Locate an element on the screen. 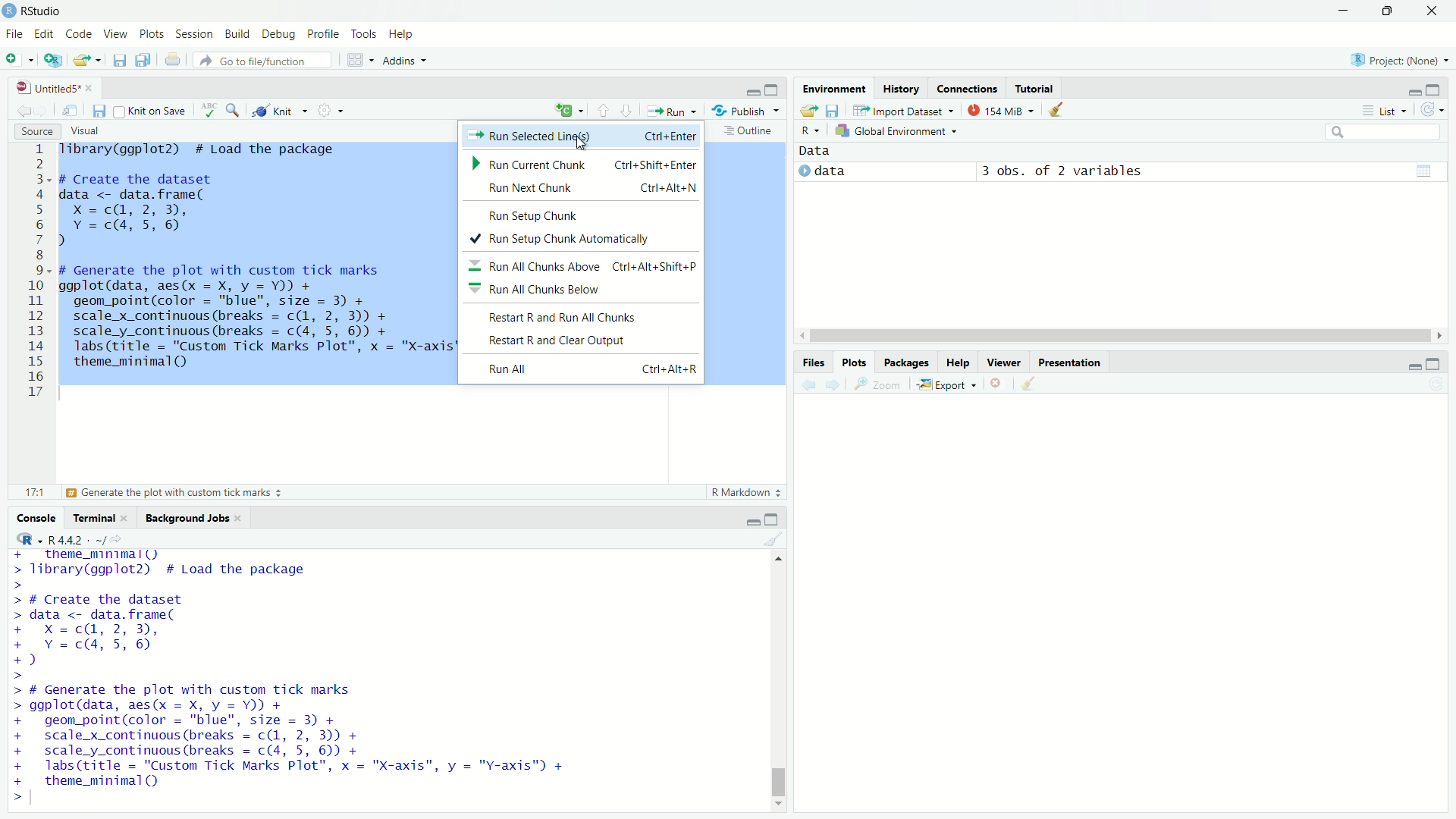 This screenshot has height=819, width=1456. packages is located at coordinates (907, 362).